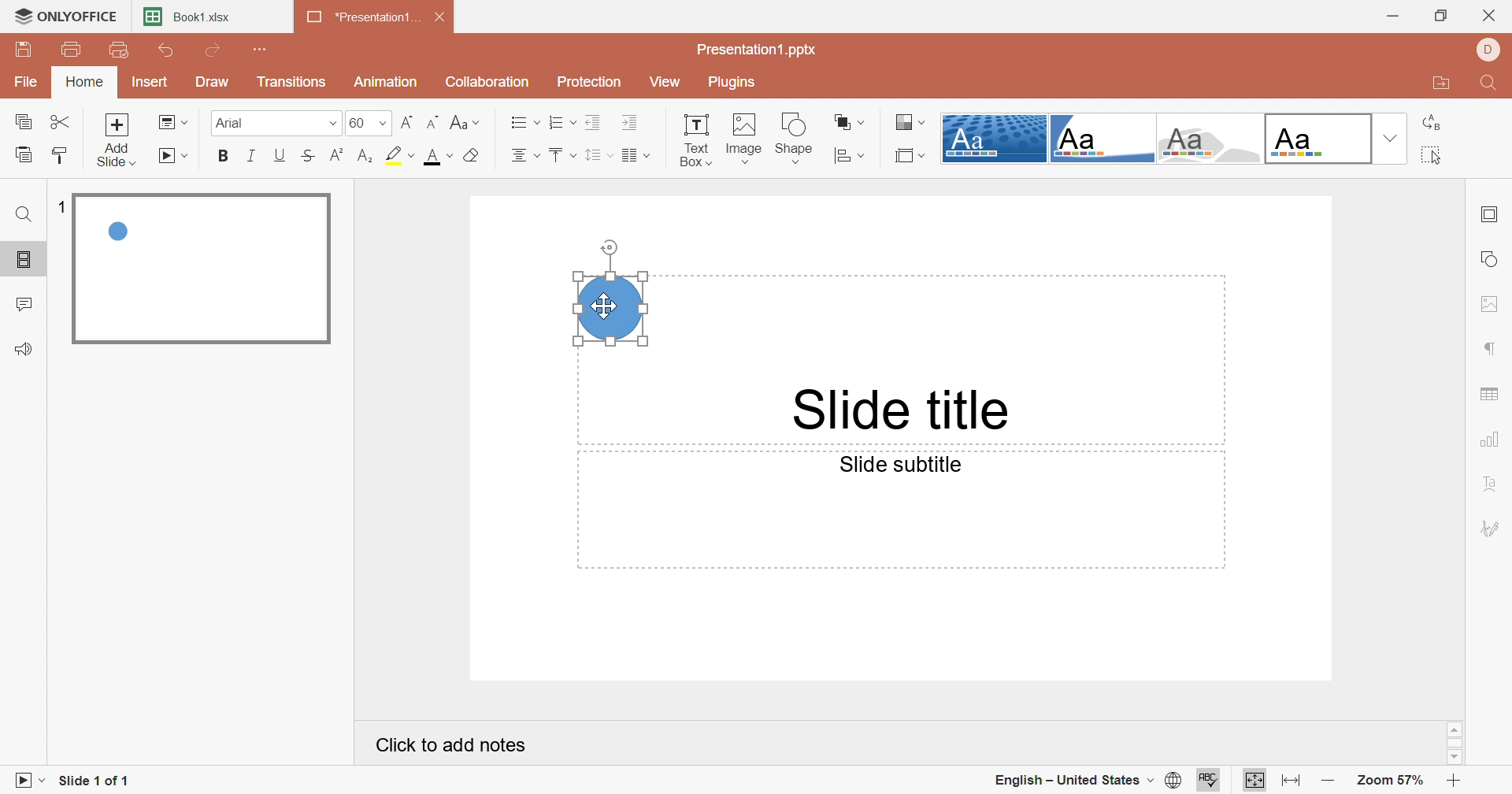 This screenshot has height=794, width=1512. Describe the element at coordinates (296, 84) in the screenshot. I see `Transitions` at that location.